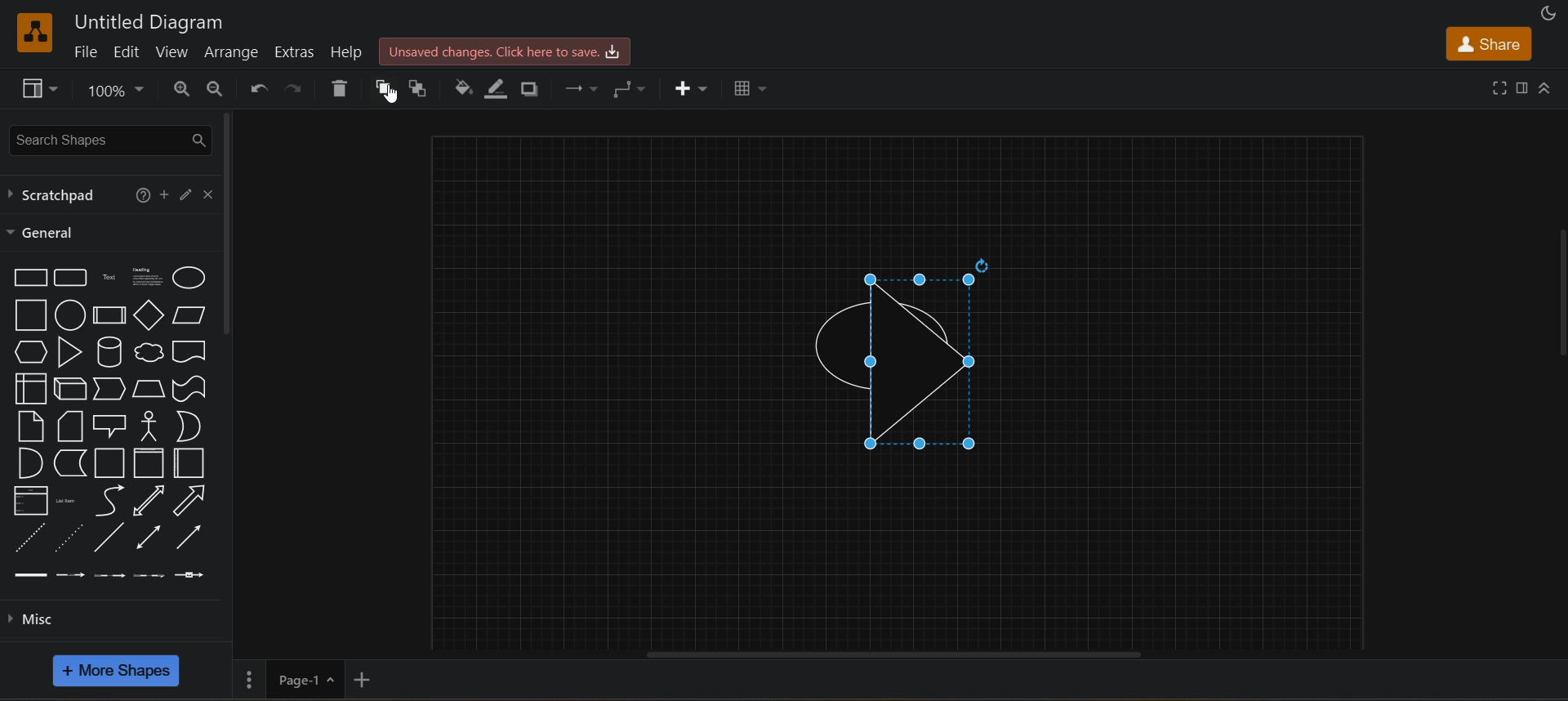 The image size is (1568, 701). What do you see at coordinates (154, 23) in the screenshot?
I see `untitled diagram` at bounding box center [154, 23].